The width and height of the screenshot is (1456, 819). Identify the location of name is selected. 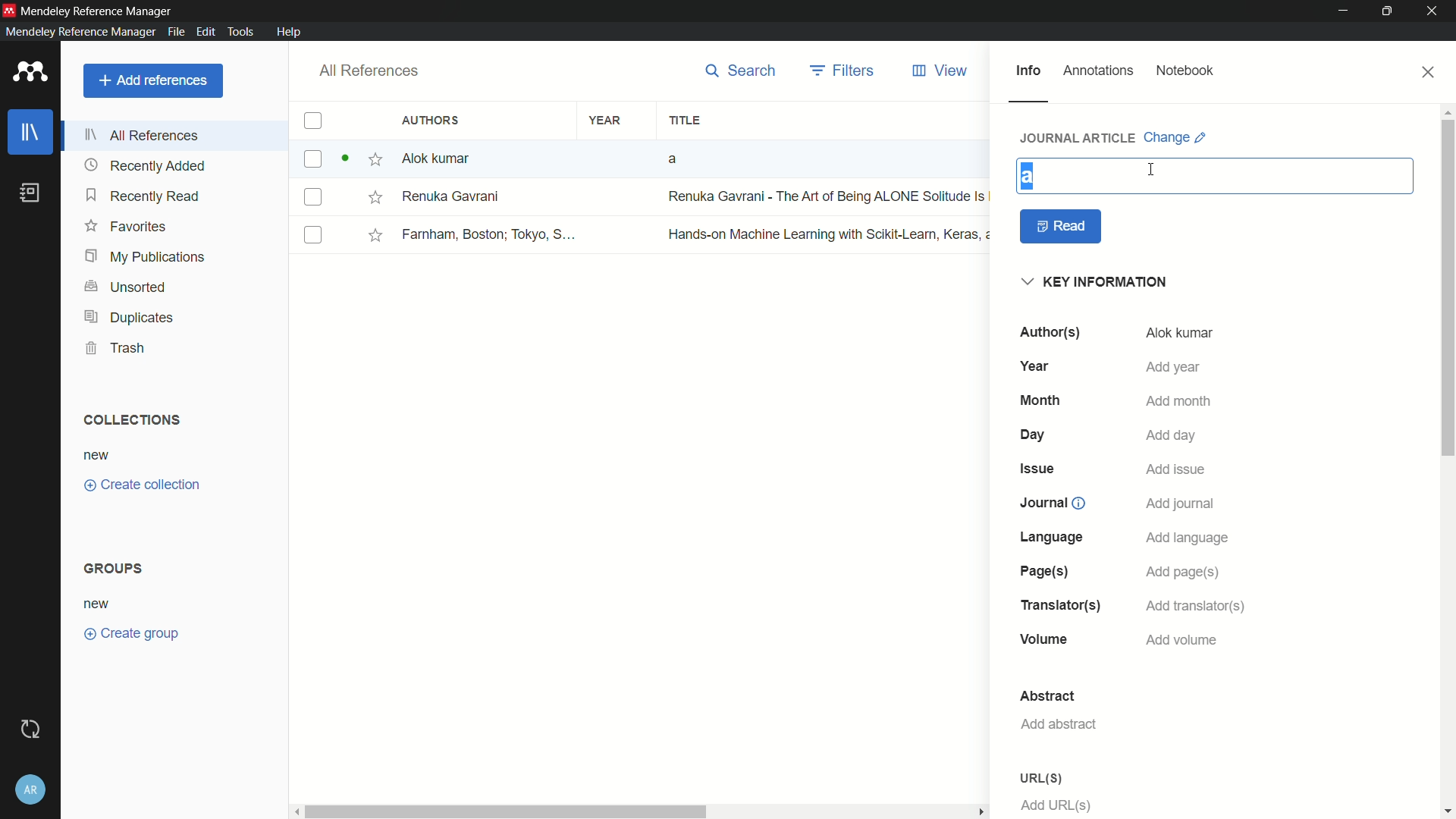
(1028, 177).